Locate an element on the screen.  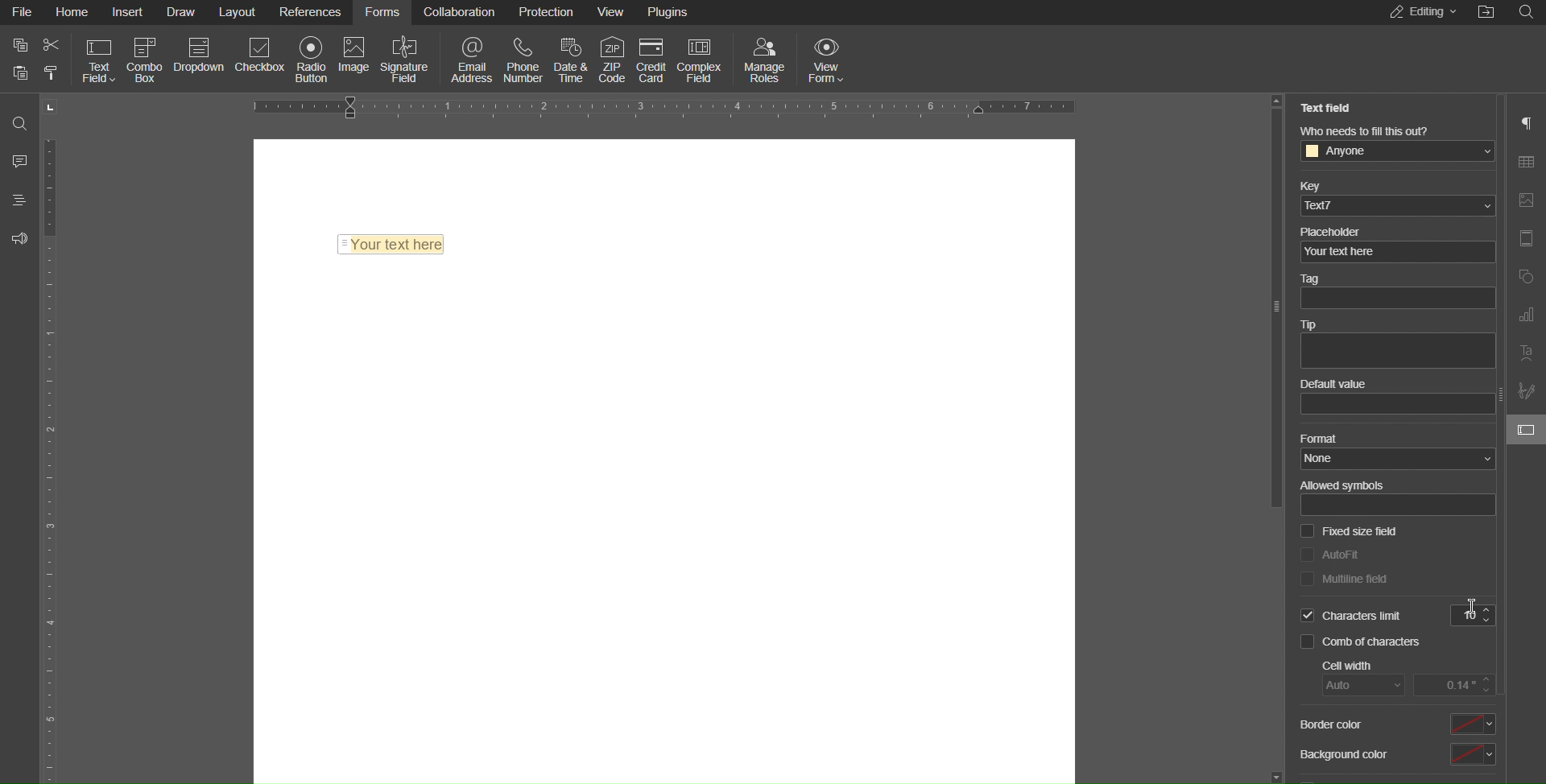
Paragraph Settings is located at coordinates (1527, 122).